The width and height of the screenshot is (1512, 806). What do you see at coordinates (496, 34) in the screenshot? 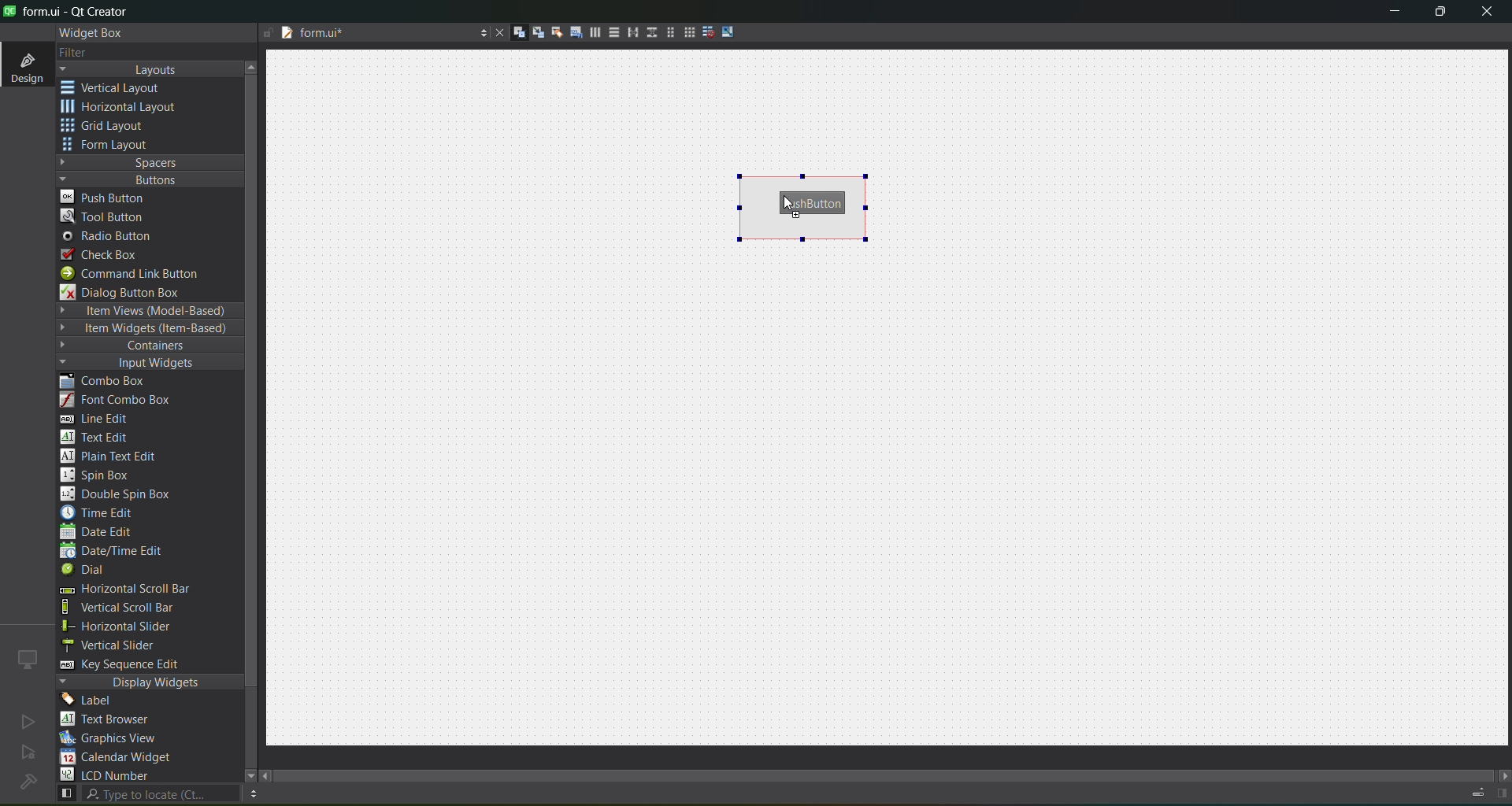
I see `close document` at bounding box center [496, 34].